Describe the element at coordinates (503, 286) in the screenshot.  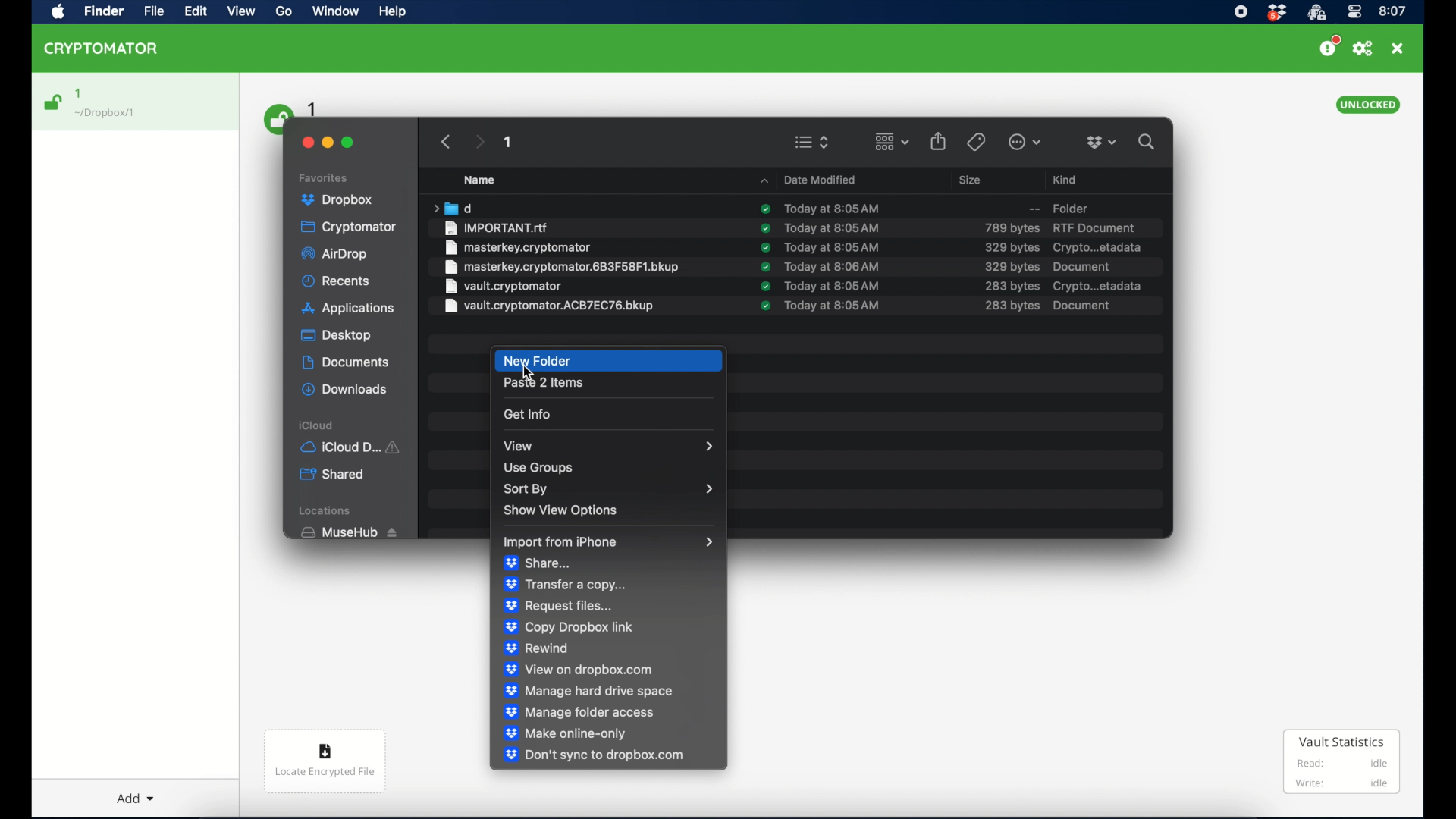
I see `file name` at that location.